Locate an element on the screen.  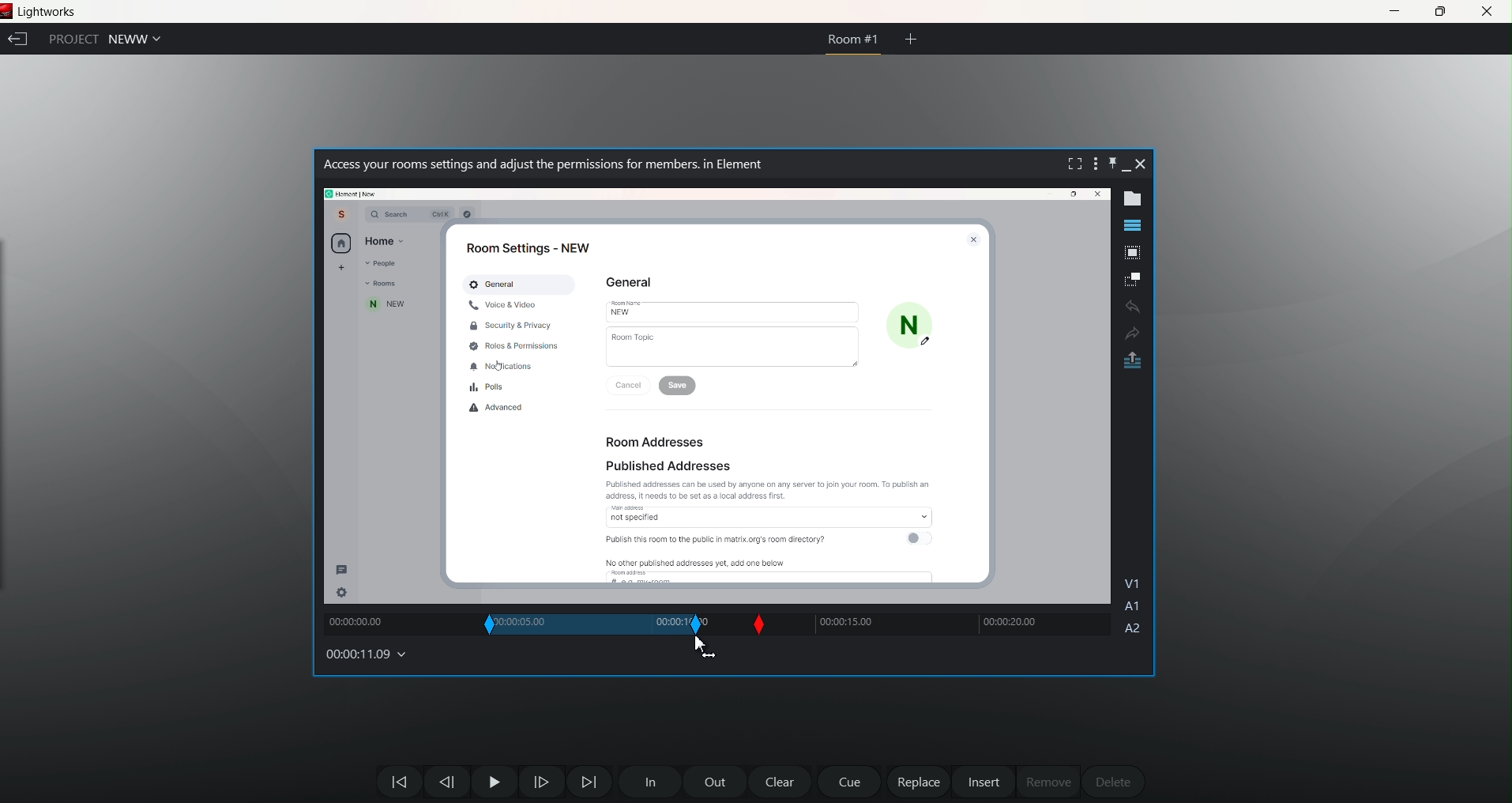
maximize is located at coordinates (1439, 11).